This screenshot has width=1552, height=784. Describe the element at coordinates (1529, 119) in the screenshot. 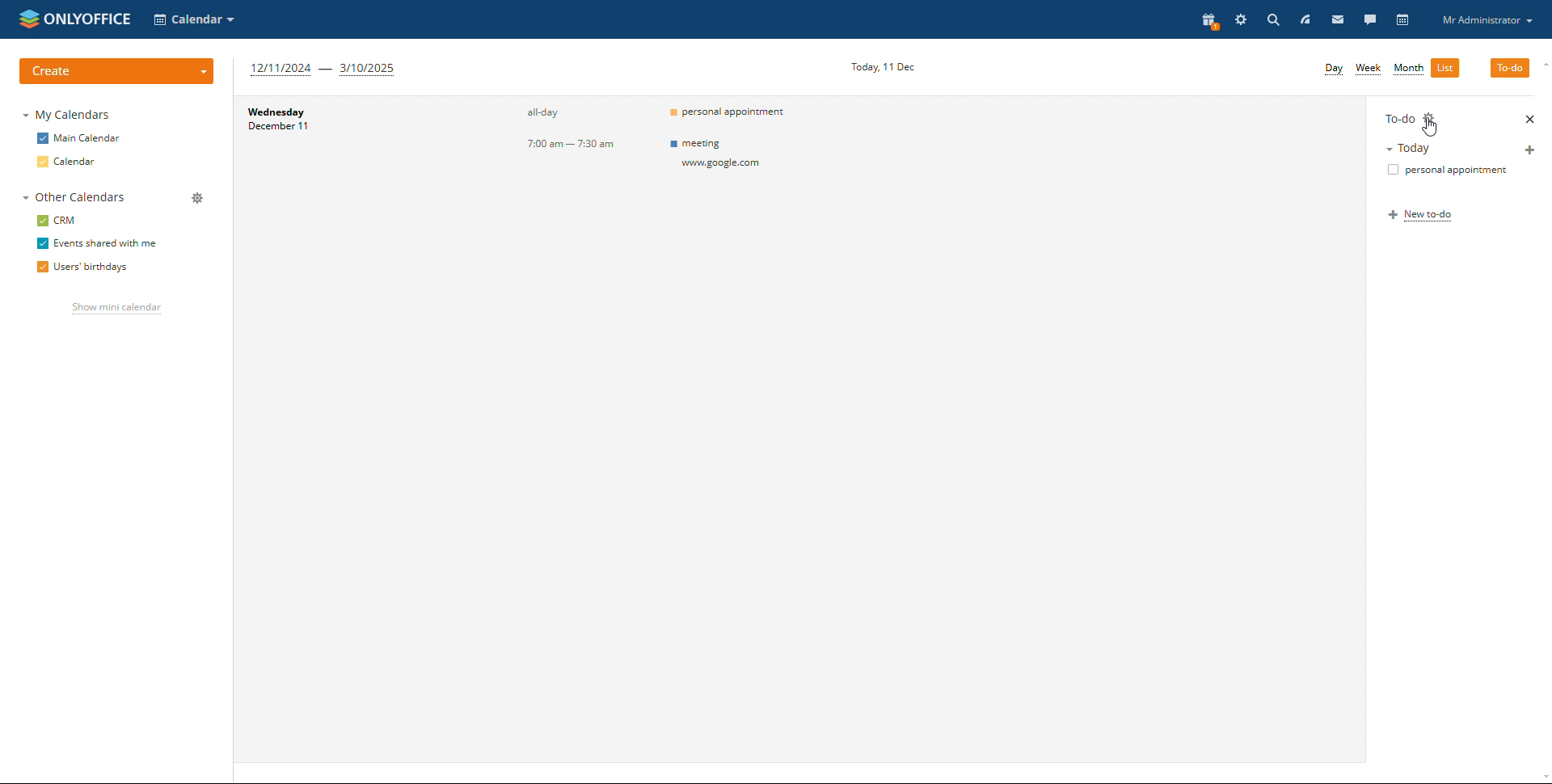

I see `close` at that location.